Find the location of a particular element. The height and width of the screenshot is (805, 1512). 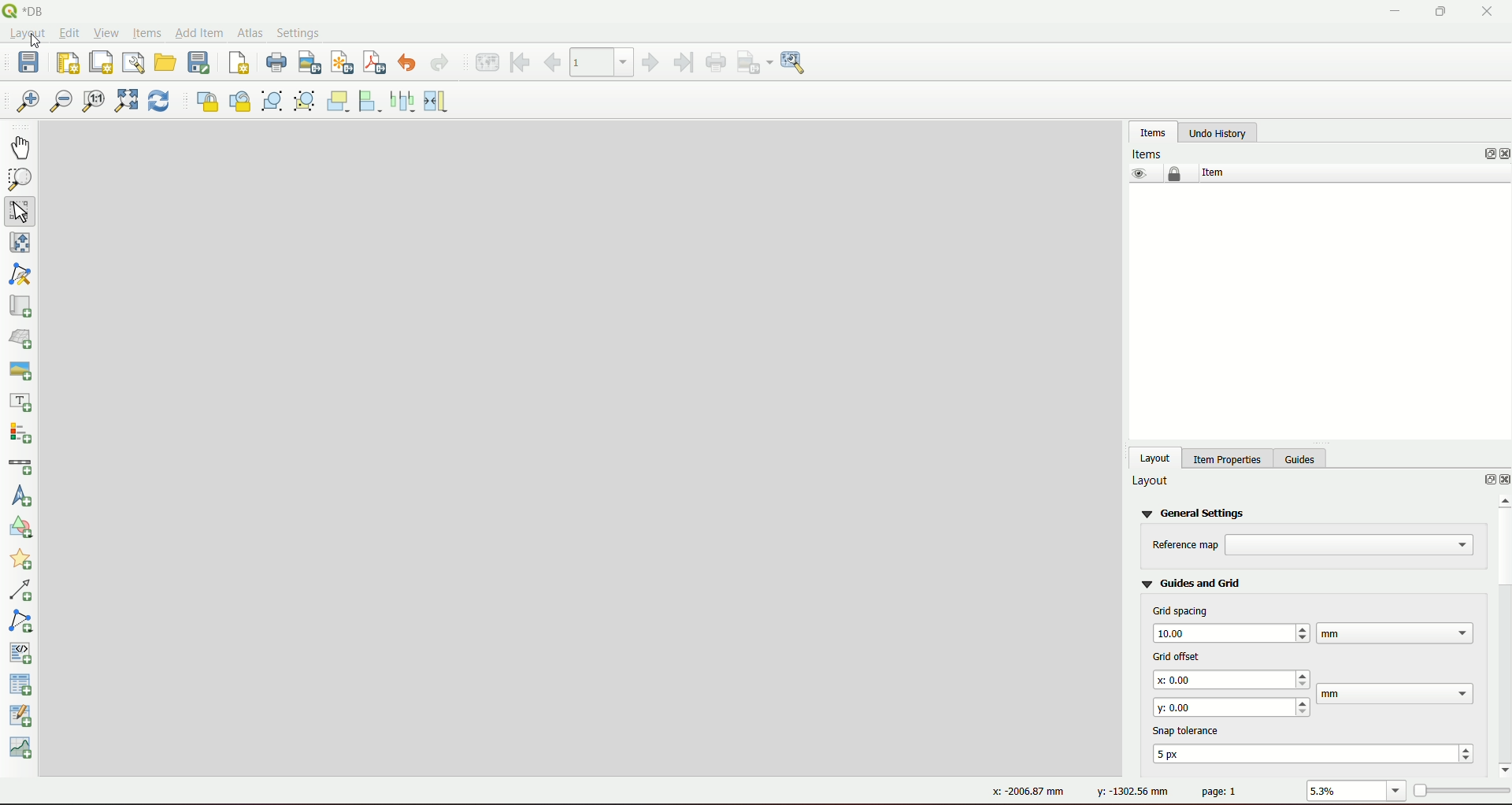

text box is located at coordinates (1351, 545).